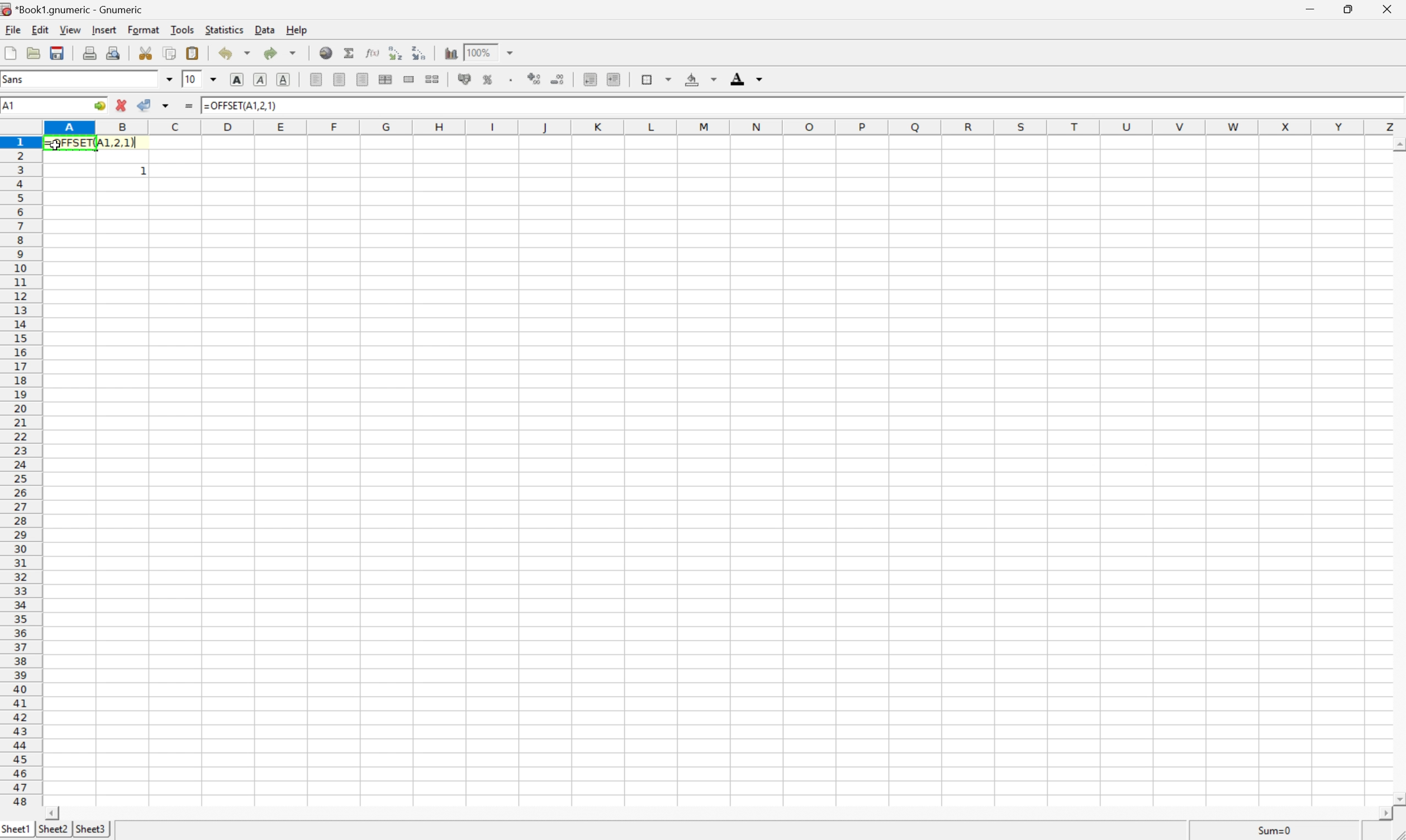 The width and height of the screenshot is (1406, 840). What do you see at coordinates (90, 52) in the screenshot?
I see `print current file` at bounding box center [90, 52].